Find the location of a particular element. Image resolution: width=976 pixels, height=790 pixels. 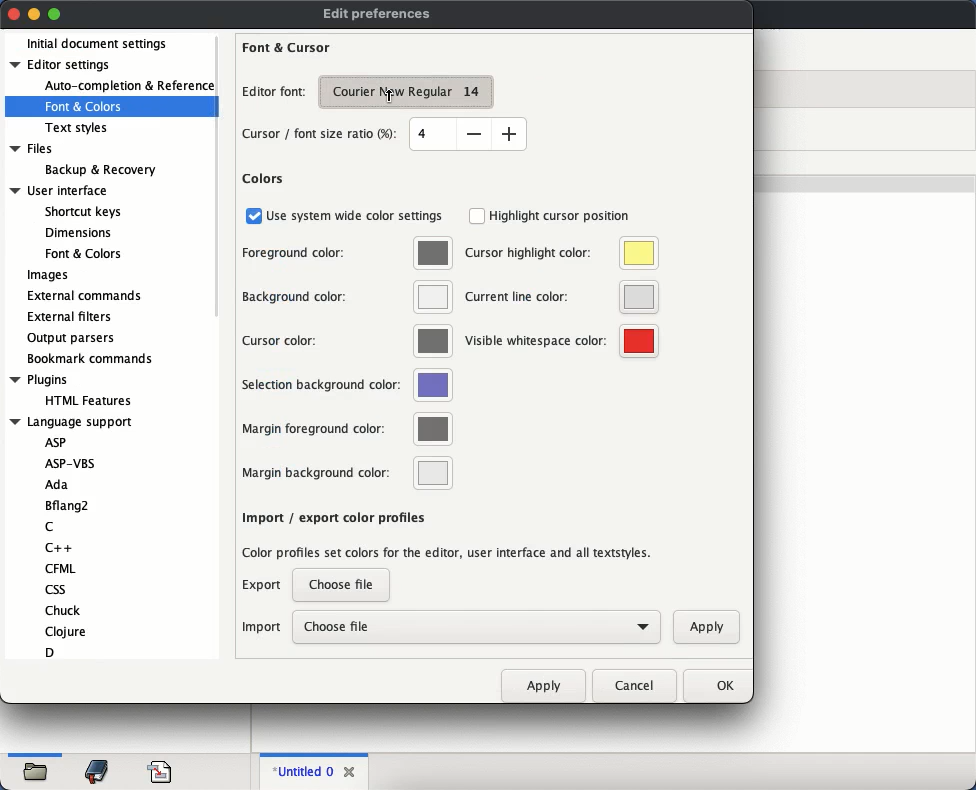

colors is located at coordinates (263, 179).